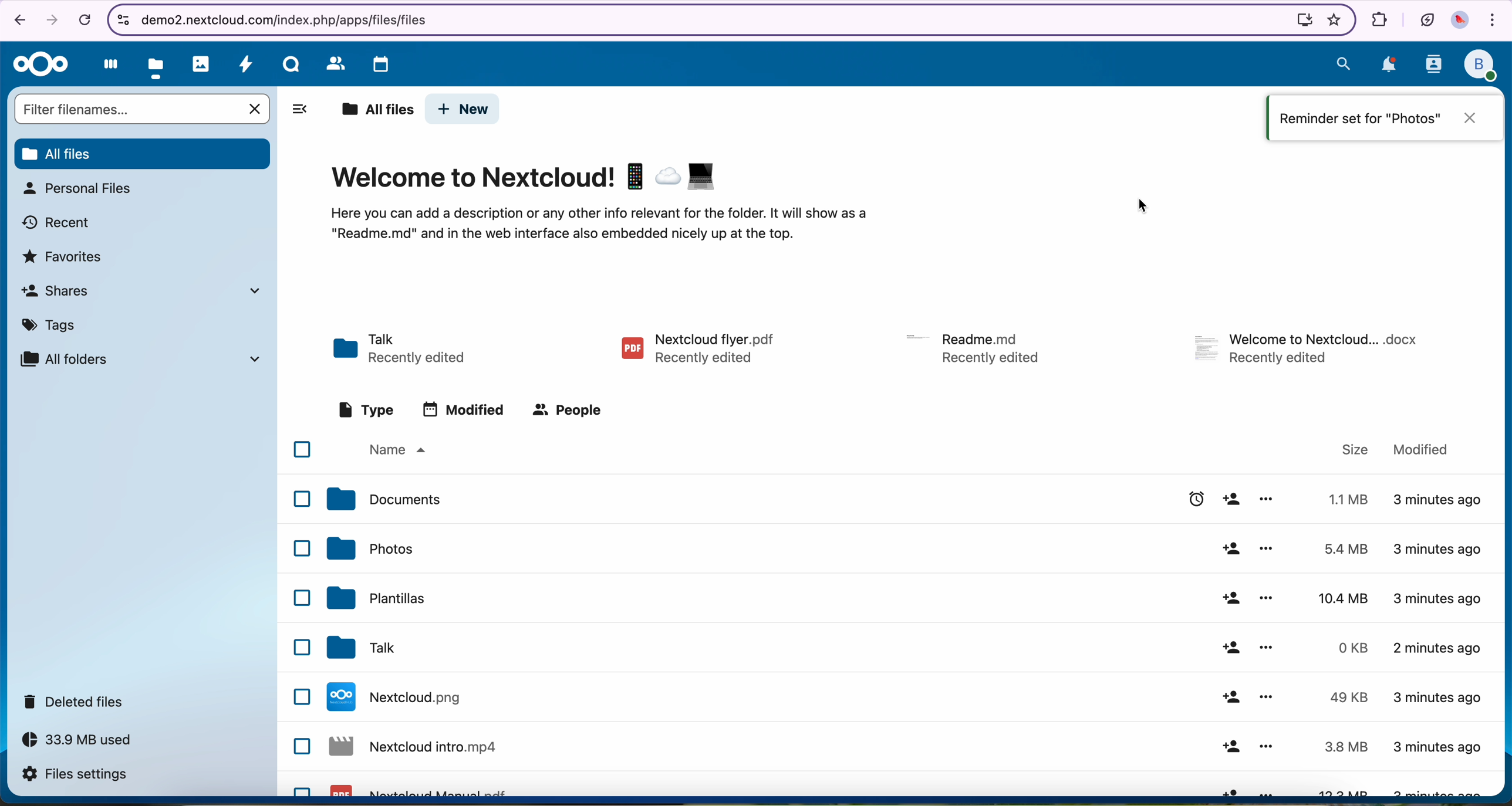  Describe the element at coordinates (603, 226) in the screenshot. I see `description of the page` at that location.